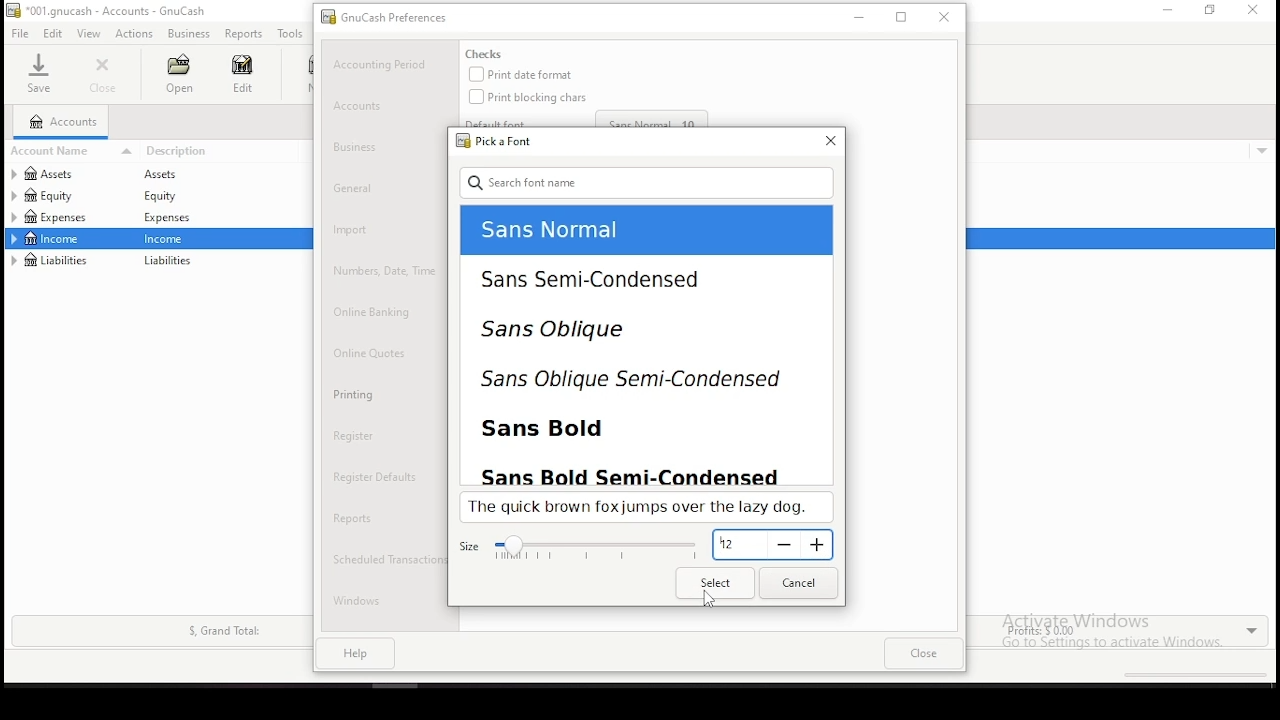 This screenshot has width=1280, height=720. What do you see at coordinates (242, 73) in the screenshot?
I see `edit` at bounding box center [242, 73].